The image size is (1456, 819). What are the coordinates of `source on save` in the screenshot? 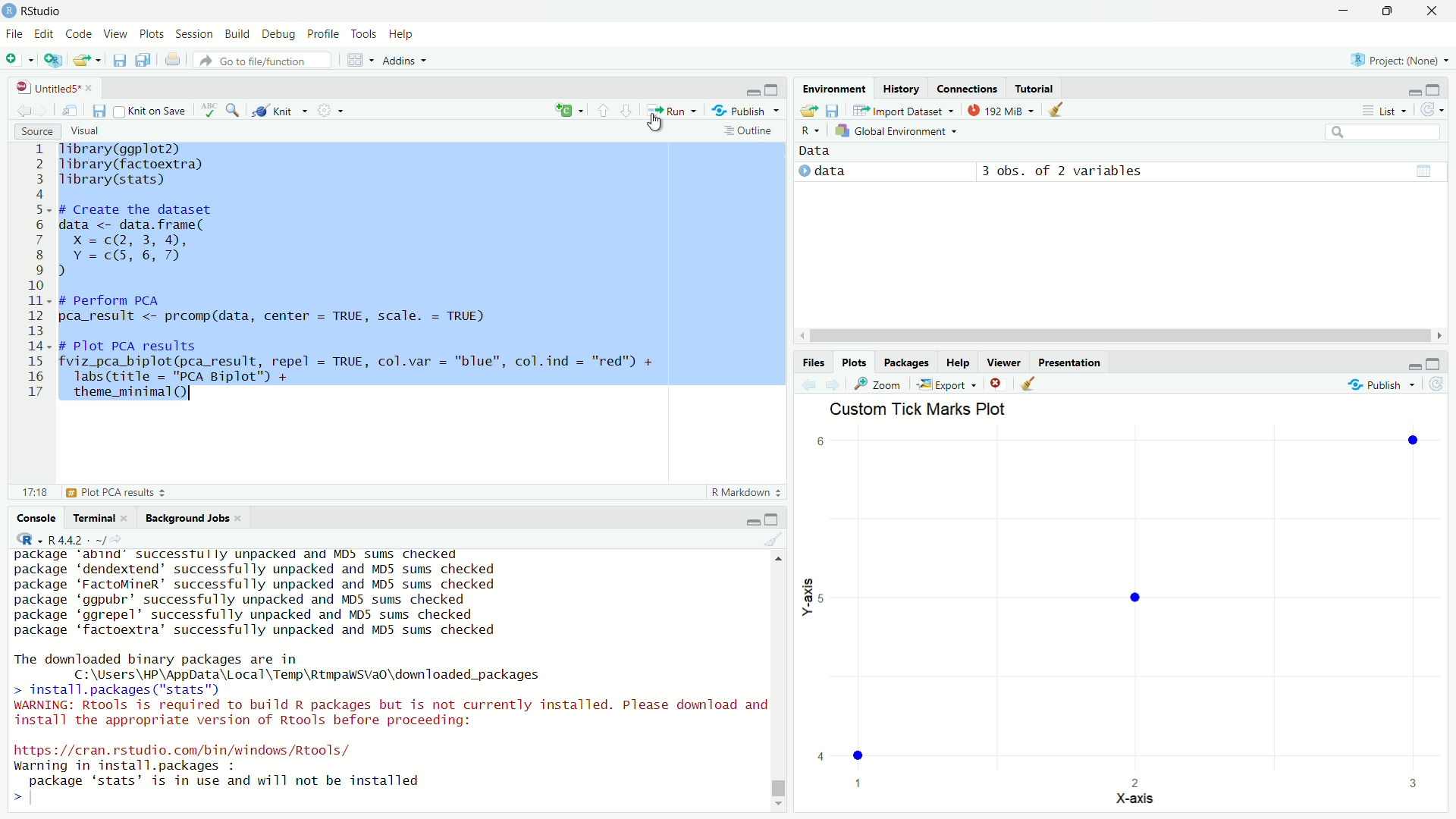 It's located at (152, 112).